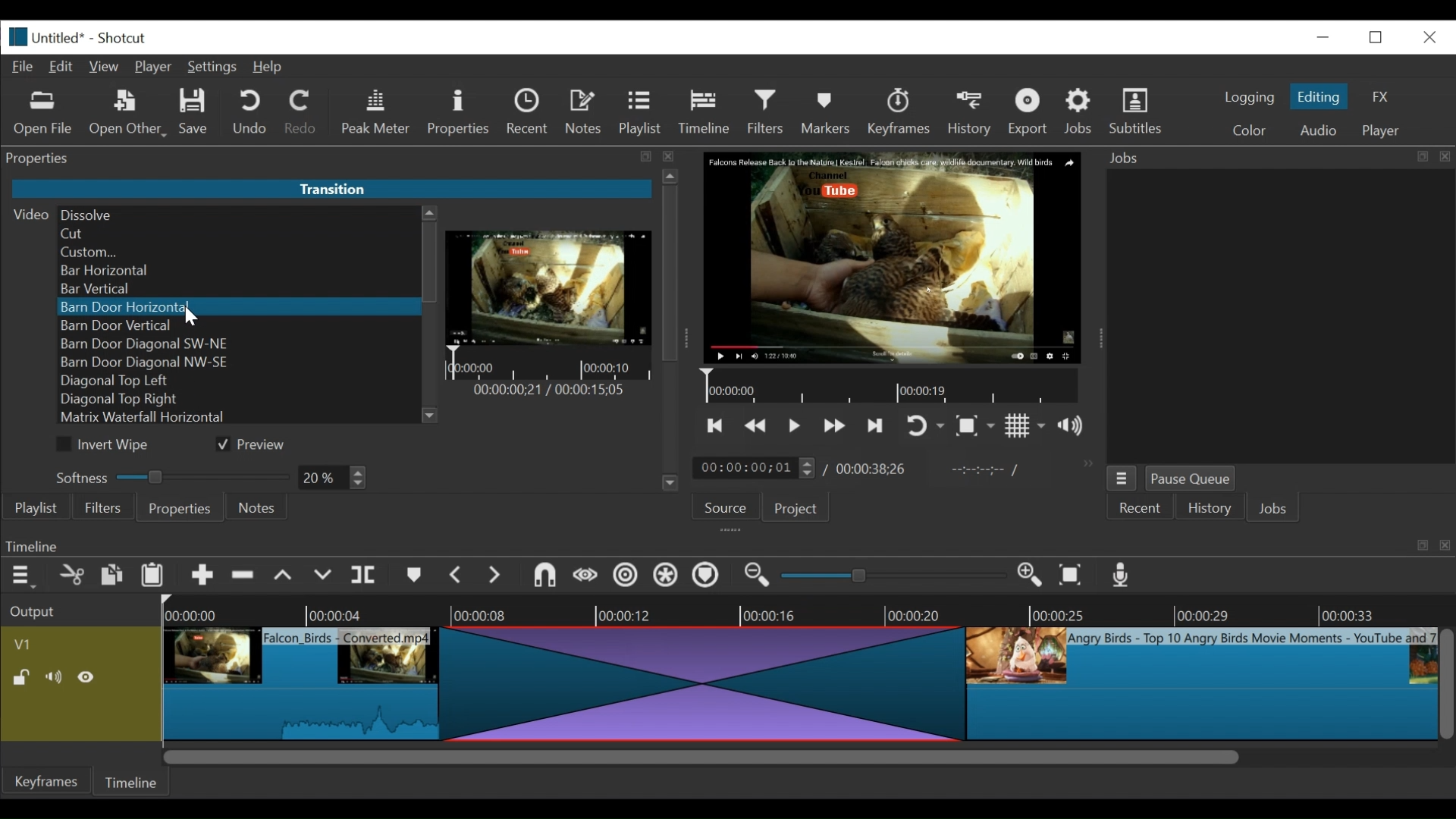 The height and width of the screenshot is (819, 1456). I want to click on Paste, so click(158, 577).